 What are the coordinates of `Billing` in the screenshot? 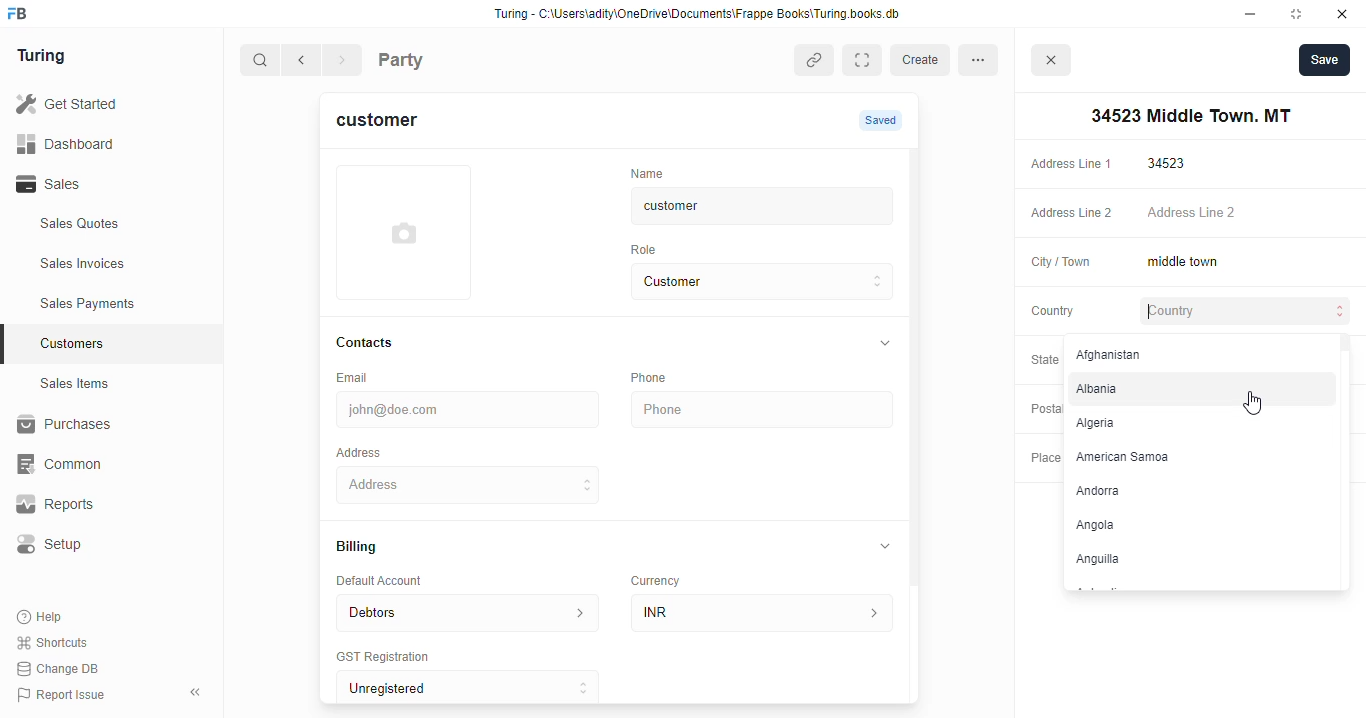 It's located at (366, 548).